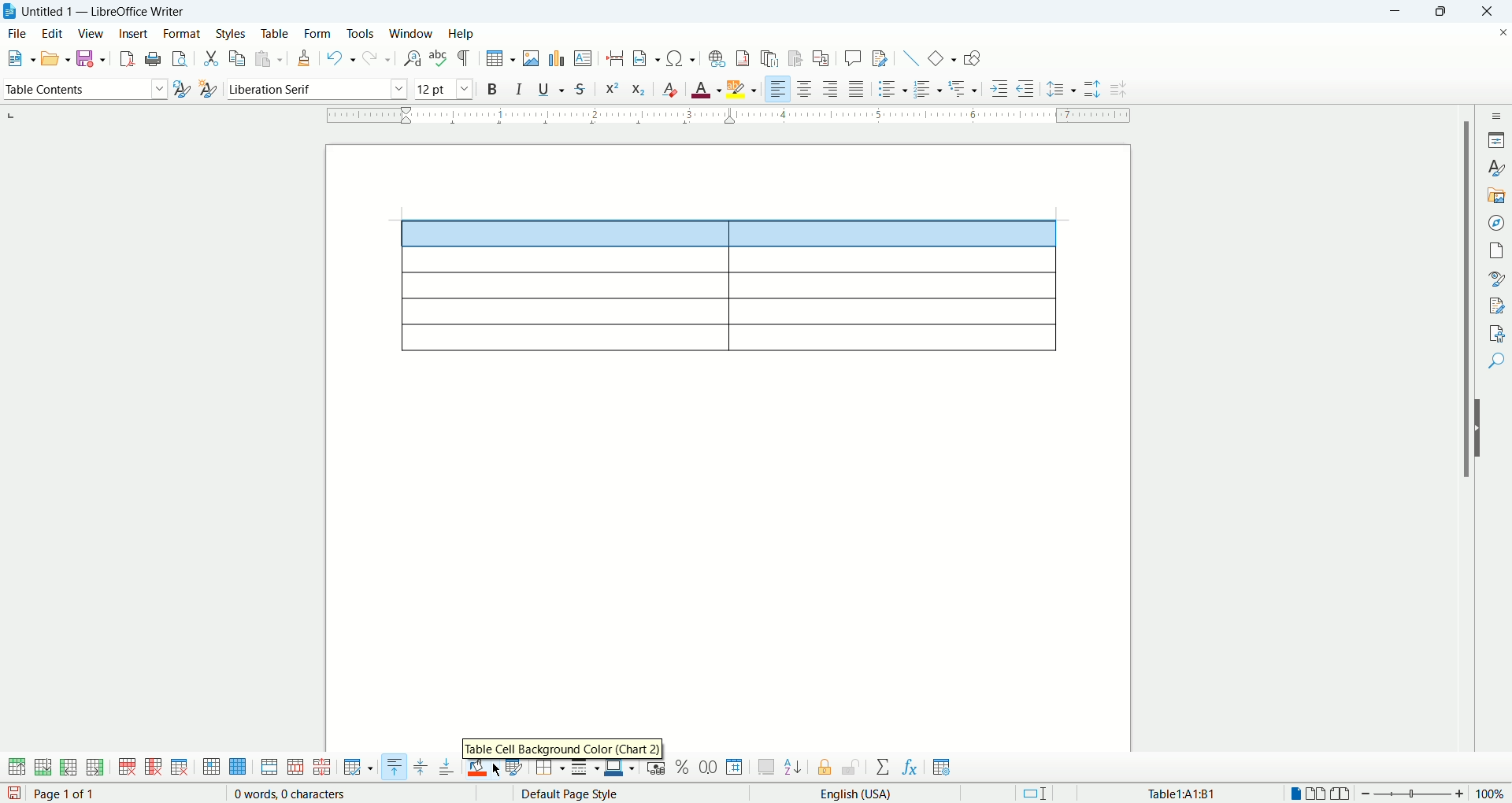 Image resolution: width=1512 pixels, height=803 pixels. What do you see at coordinates (233, 34) in the screenshot?
I see `styles` at bounding box center [233, 34].